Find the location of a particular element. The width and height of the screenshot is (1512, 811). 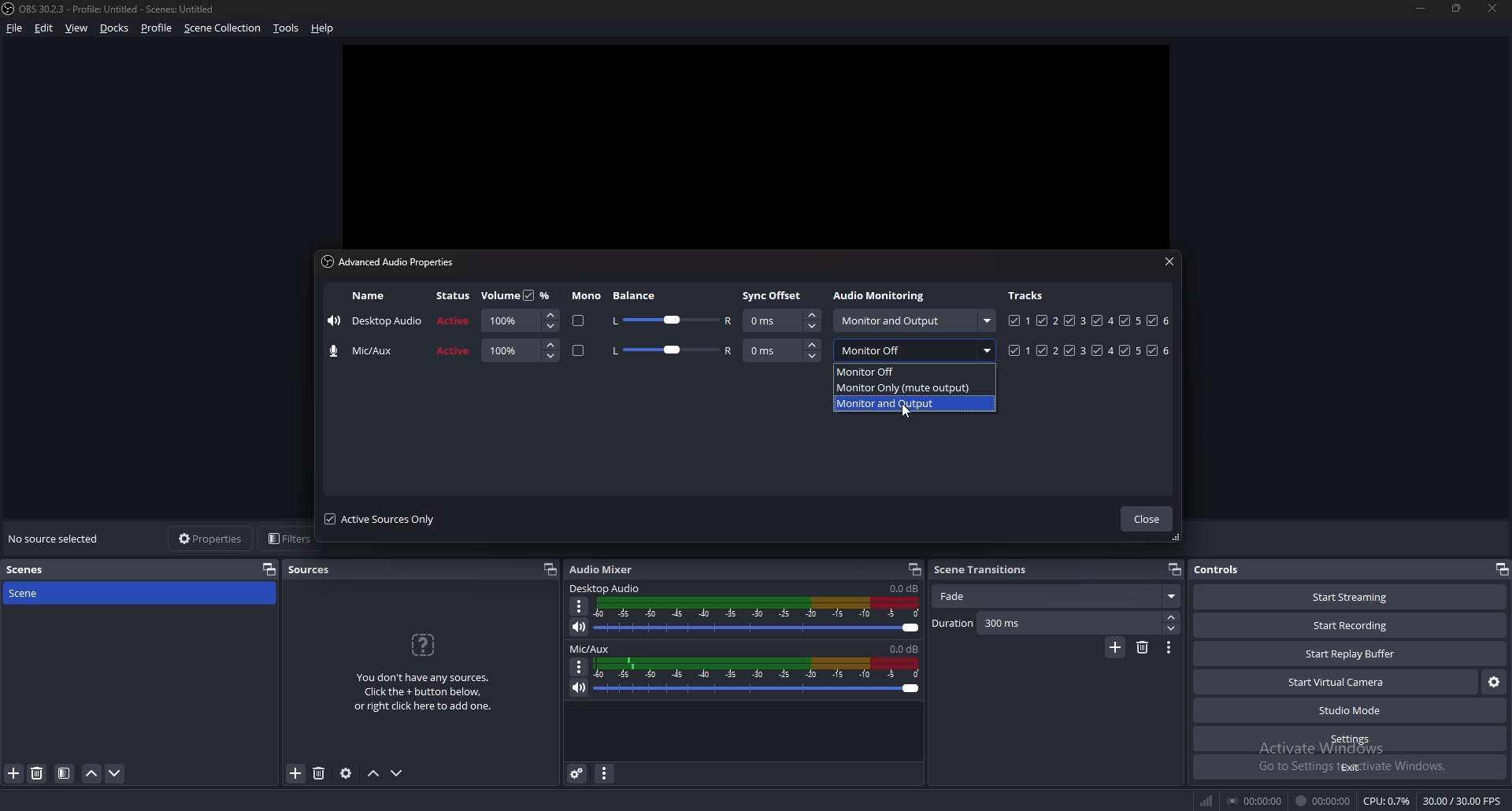

‘OBS 30.2.3 - Profile: Untitled - Scenes: Untitled is located at coordinates (121, 9).